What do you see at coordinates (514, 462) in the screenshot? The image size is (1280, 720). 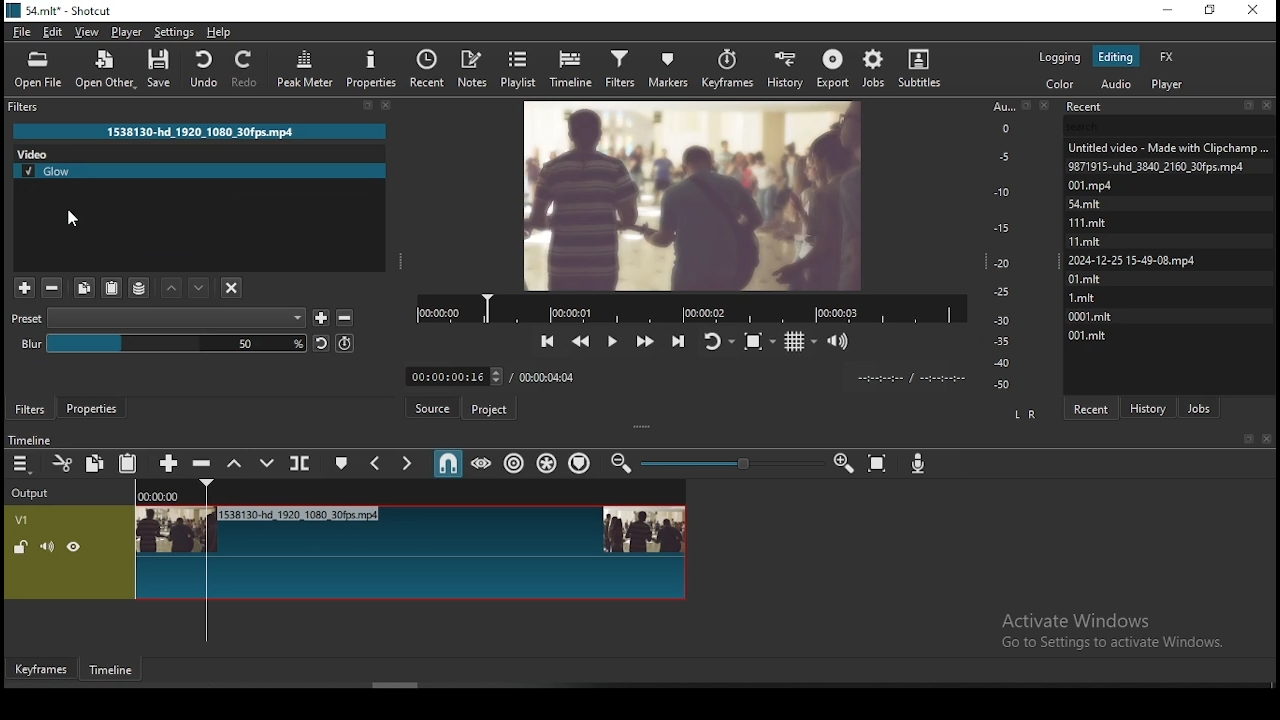 I see `ripple` at bounding box center [514, 462].